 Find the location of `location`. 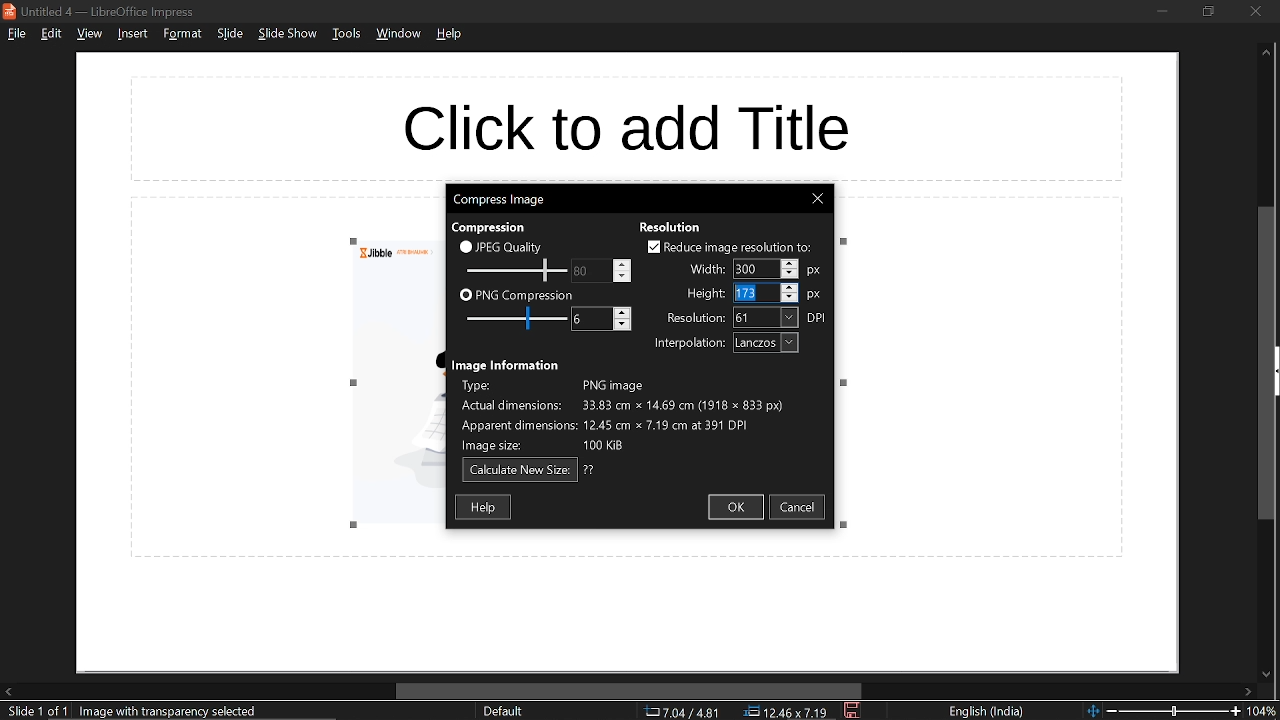

location is located at coordinates (789, 712).